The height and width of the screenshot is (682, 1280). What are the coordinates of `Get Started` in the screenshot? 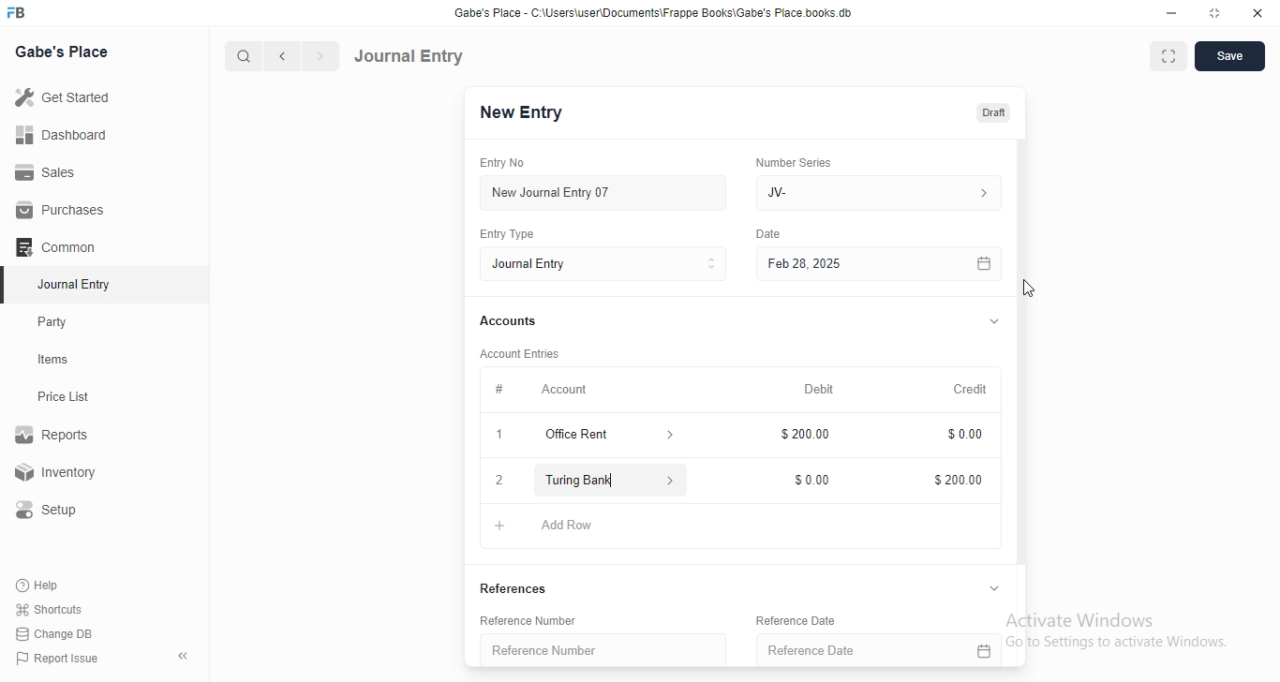 It's located at (61, 99).